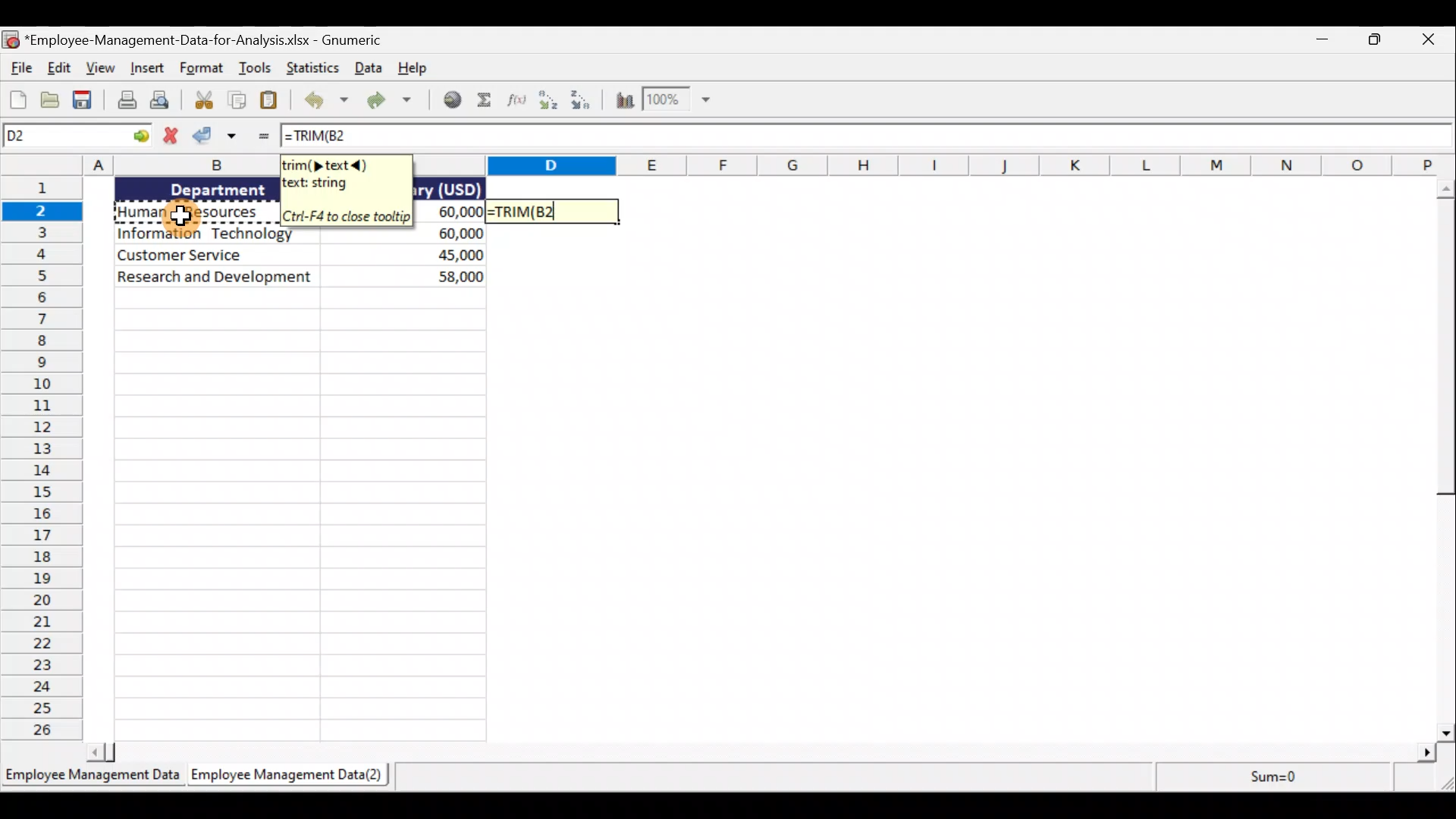 This screenshot has width=1456, height=819. I want to click on text, so click(294, 258).